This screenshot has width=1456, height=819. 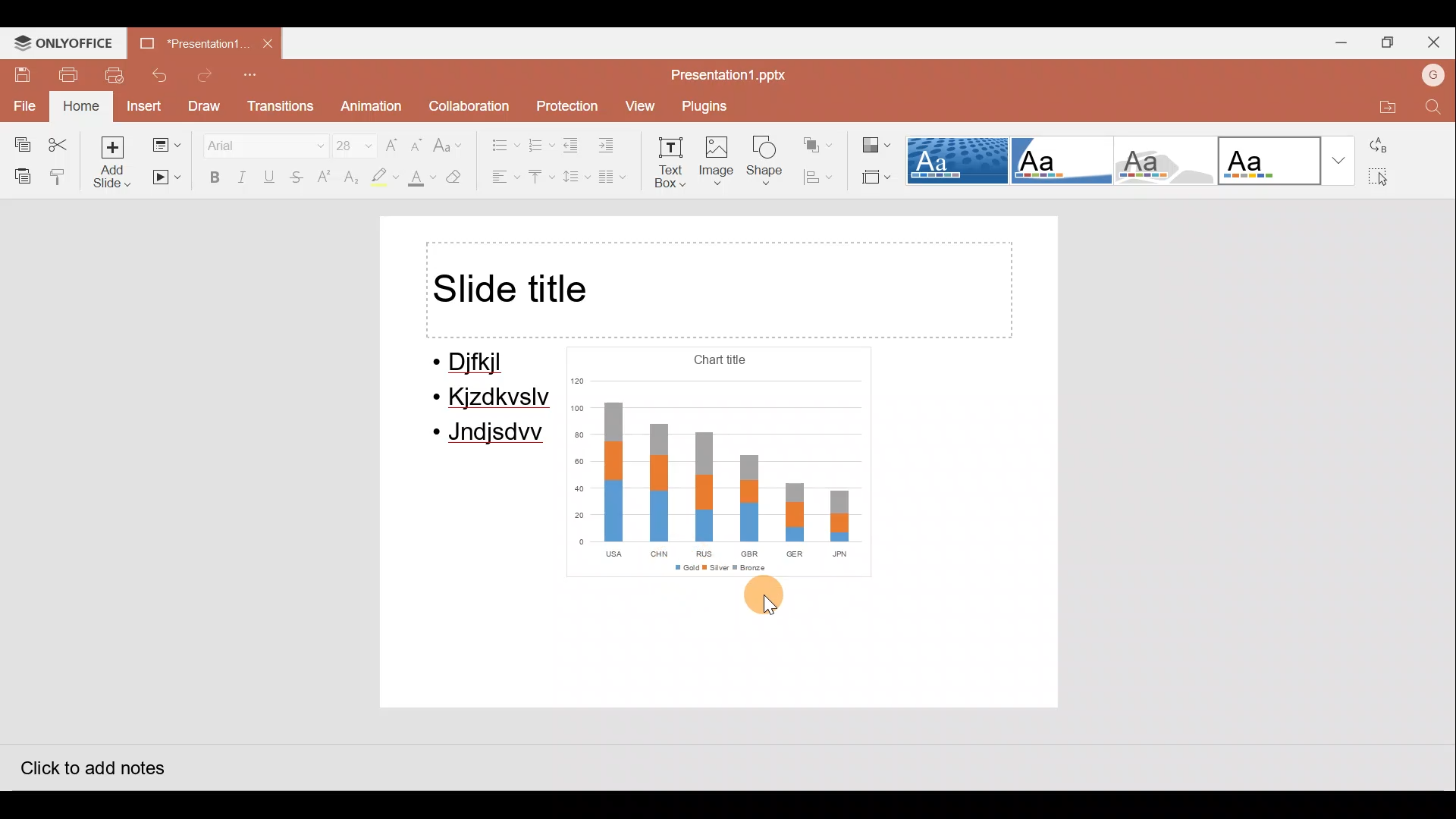 I want to click on Cut, so click(x=62, y=141).